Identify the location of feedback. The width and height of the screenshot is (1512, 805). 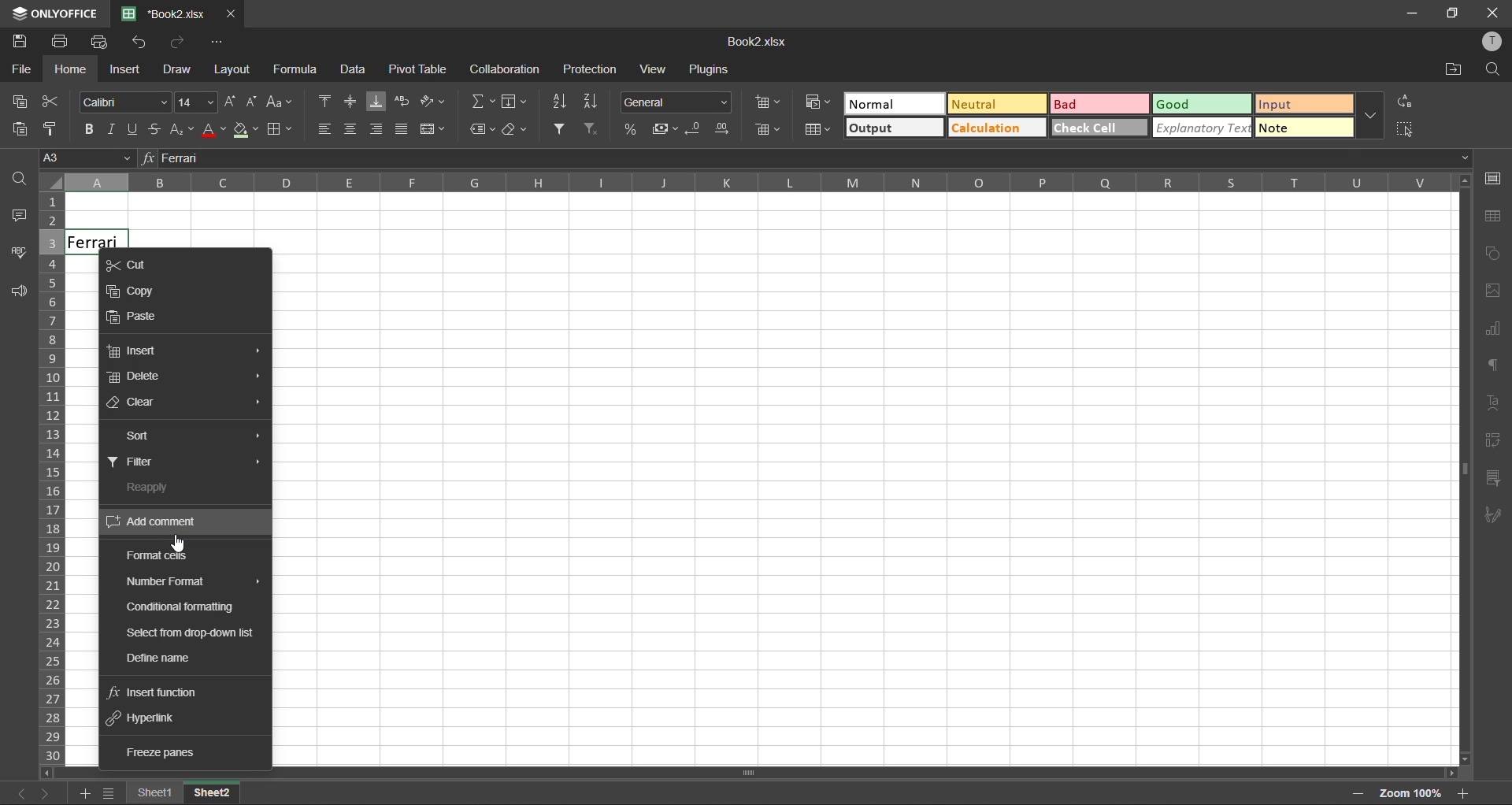
(16, 293).